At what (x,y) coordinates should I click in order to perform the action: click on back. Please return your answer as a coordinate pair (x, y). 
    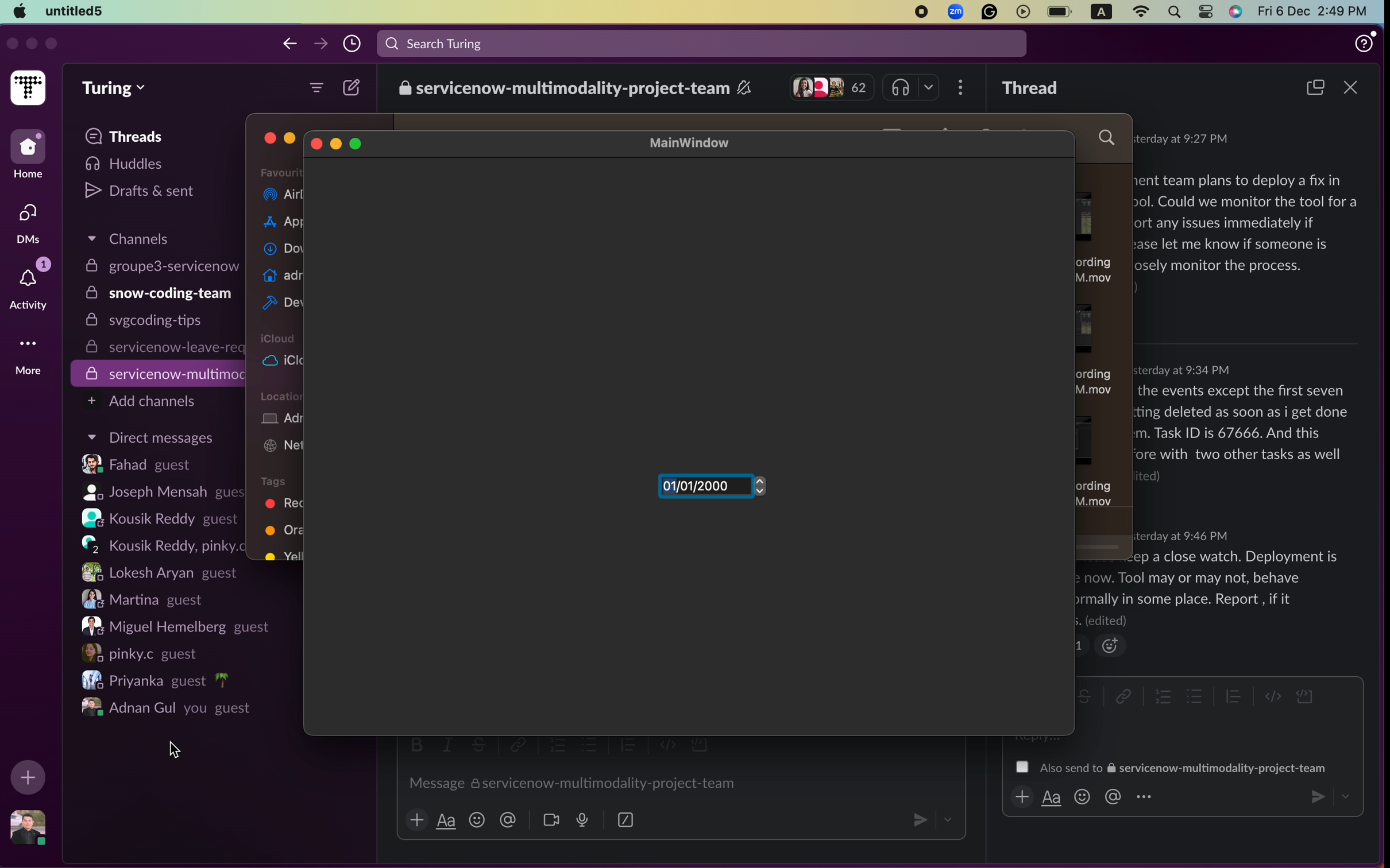
    Looking at the image, I should click on (289, 44).